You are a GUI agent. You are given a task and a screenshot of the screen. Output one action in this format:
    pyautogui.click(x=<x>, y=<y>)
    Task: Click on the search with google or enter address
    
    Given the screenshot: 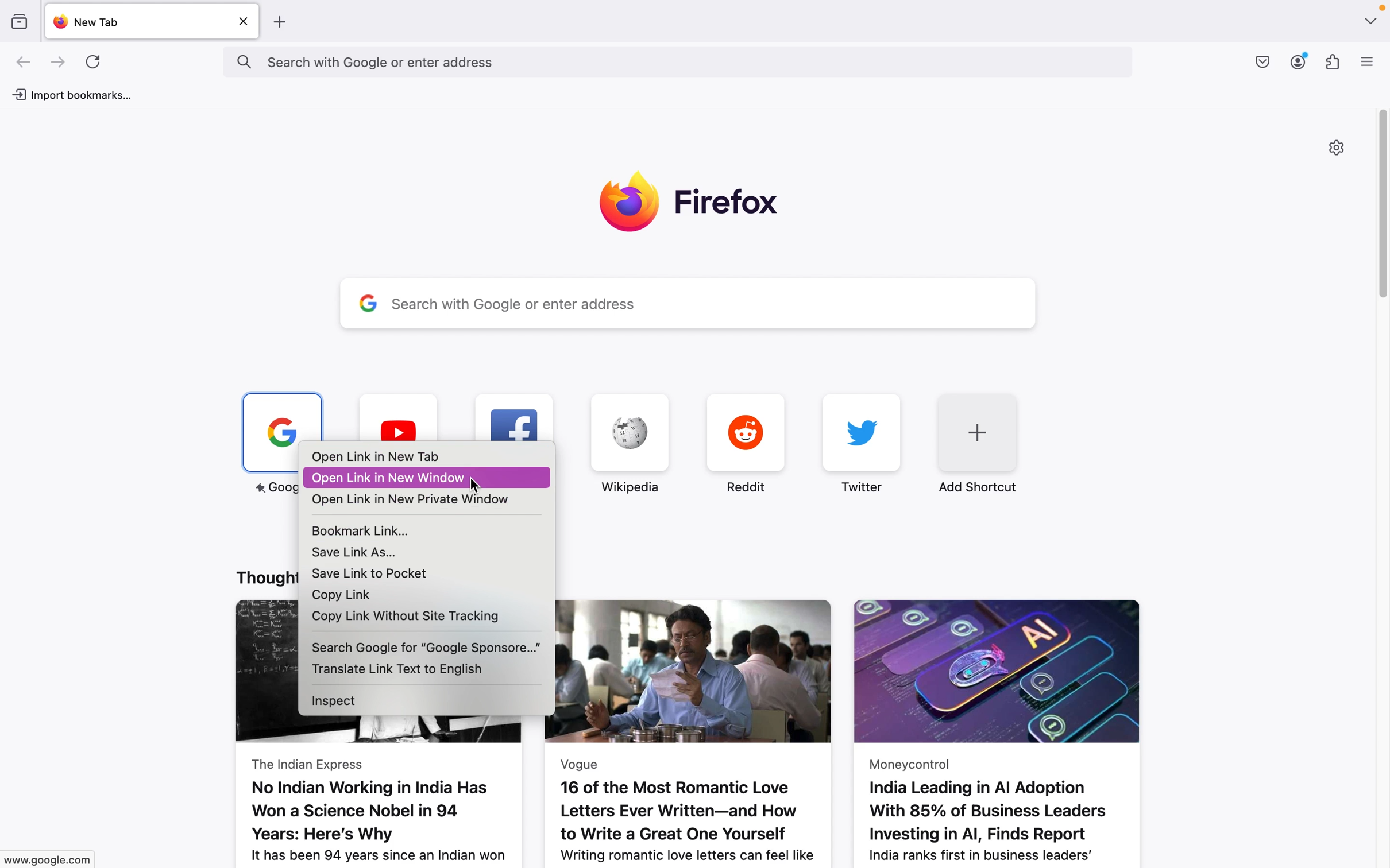 What is the action you would take?
    pyautogui.click(x=677, y=61)
    